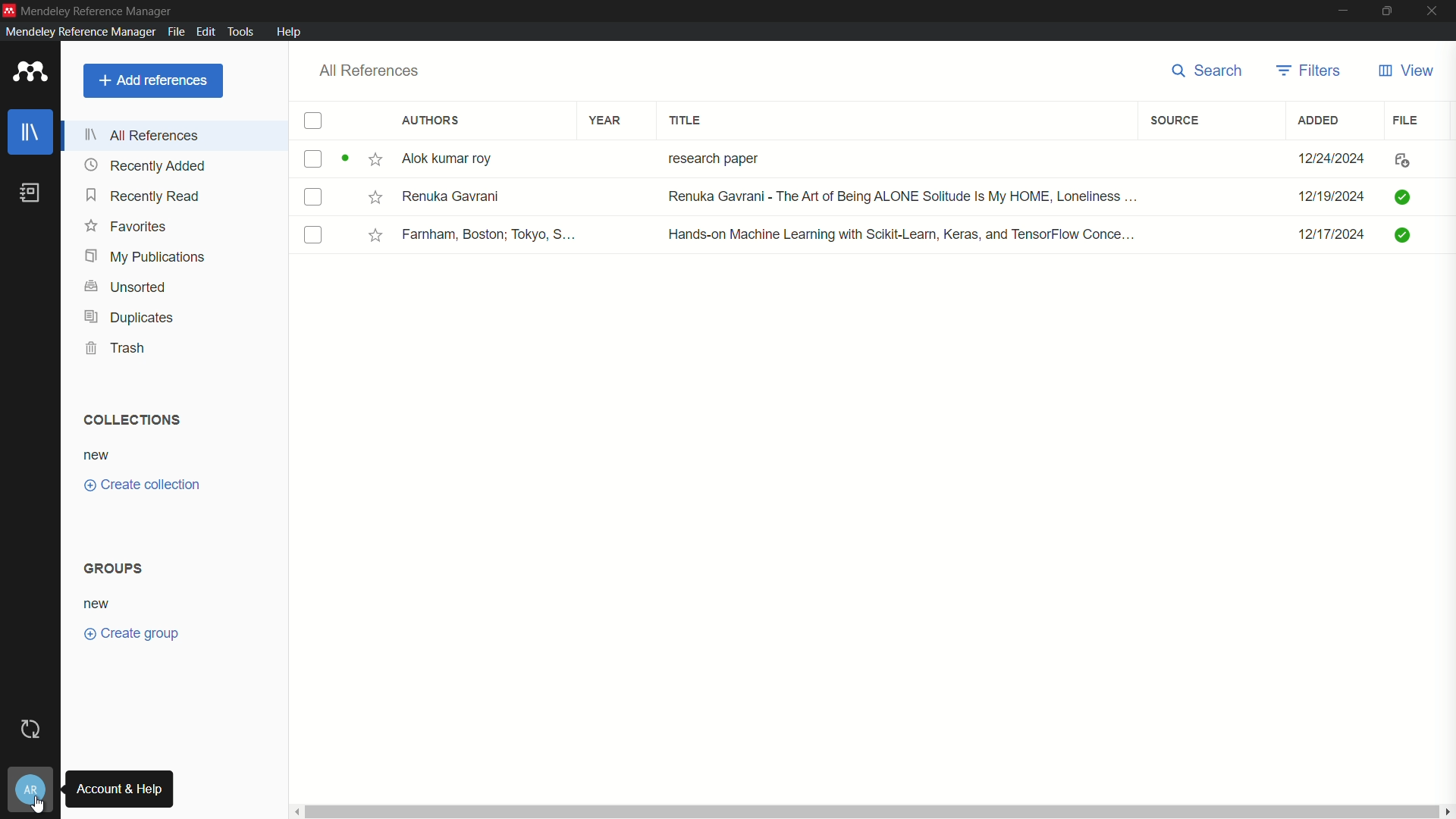  I want to click on view, so click(1405, 71).